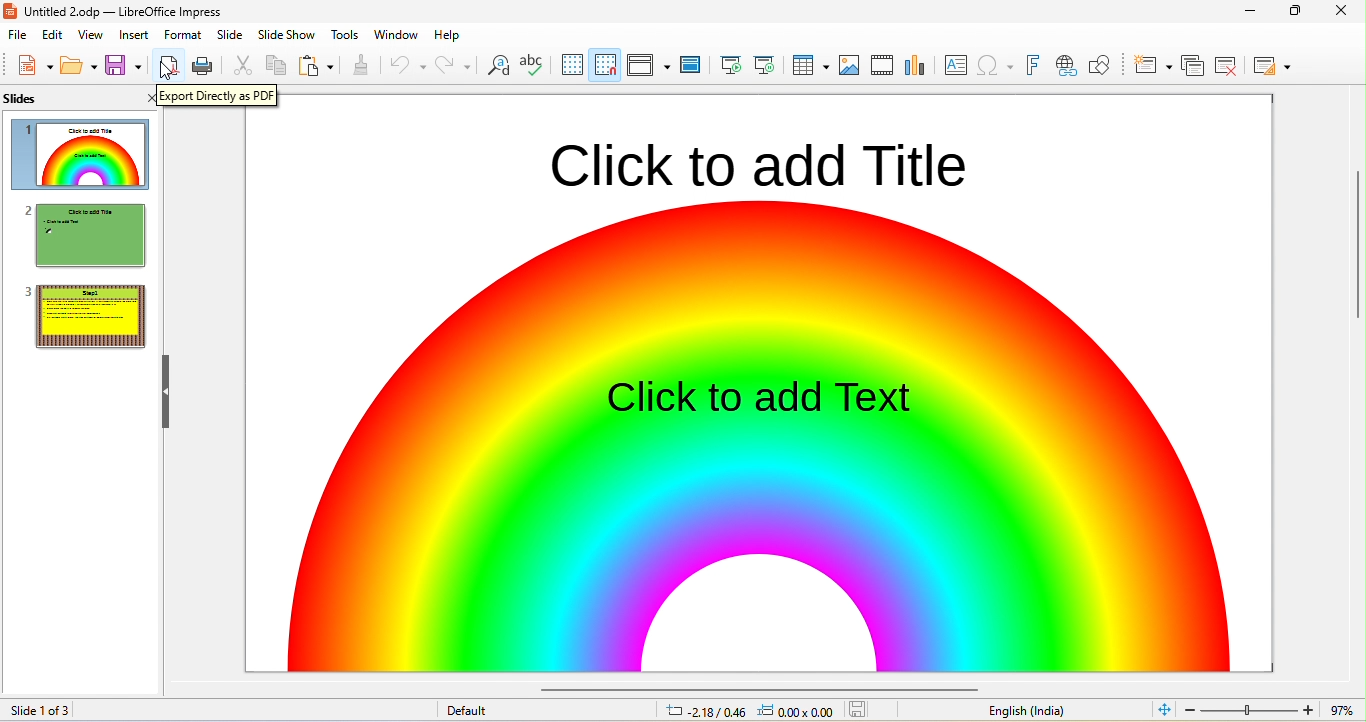 This screenshot has width=1366, height=722. Describe the element at coordinates (242, 64) in the screenshot. I see `cut` at that location.